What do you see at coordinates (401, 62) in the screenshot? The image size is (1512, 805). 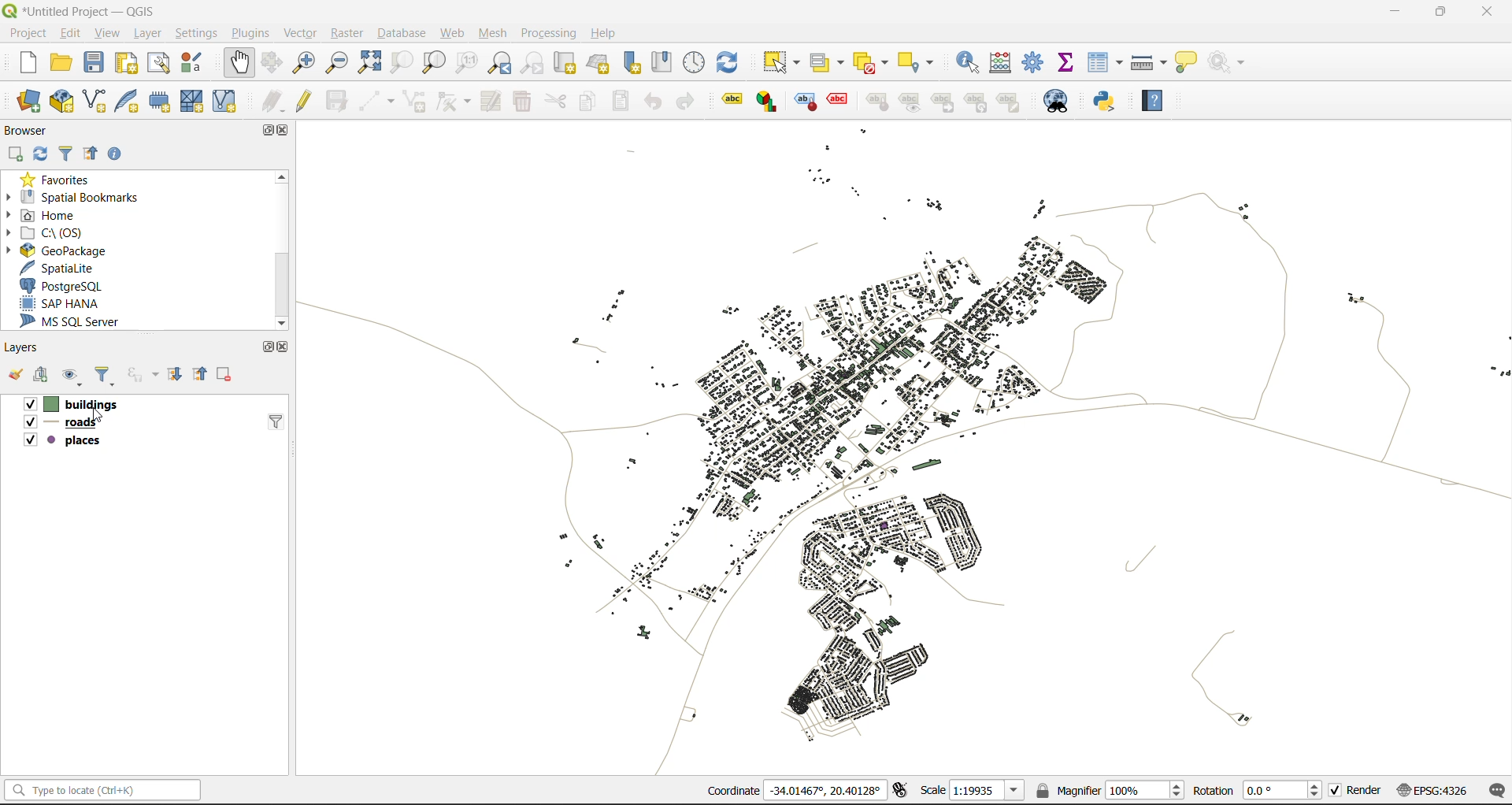 I see `zoom selection` at bounding box center [401, 62].